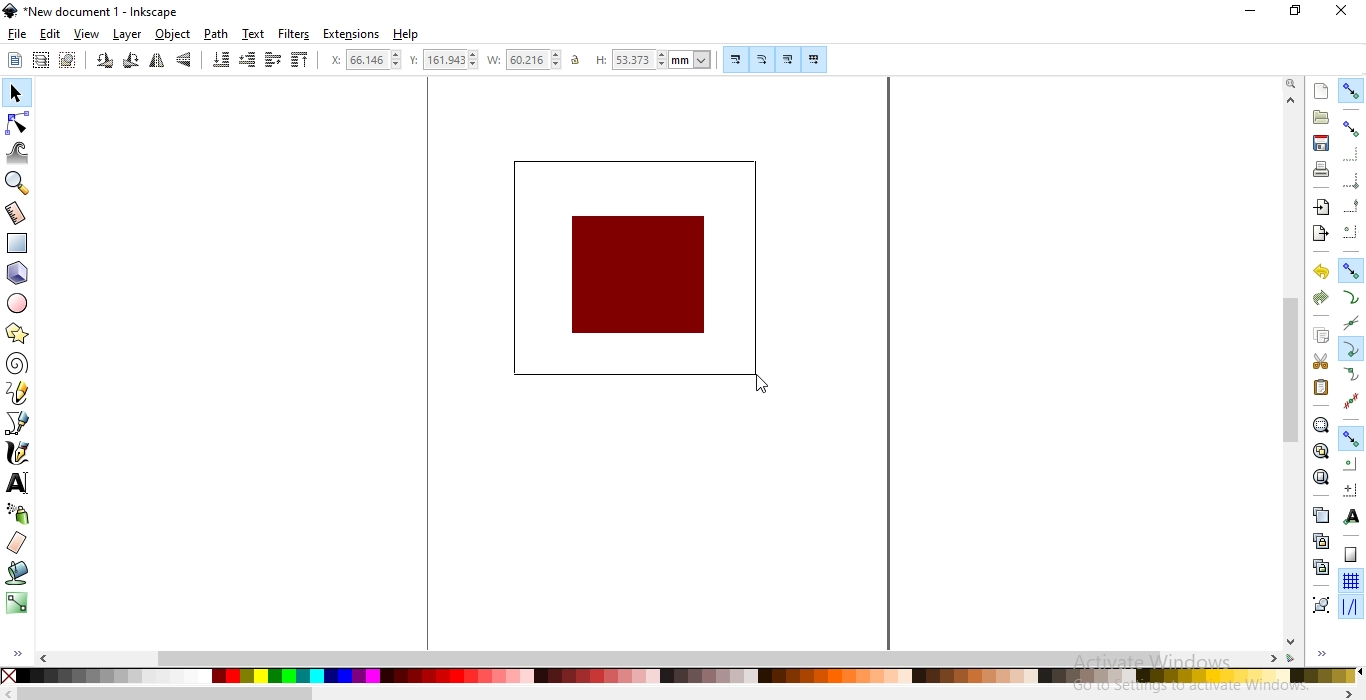  What do you see at coordinates (295, 34) in the screenshot?
I see `filters` at bounding box center [295, 34].